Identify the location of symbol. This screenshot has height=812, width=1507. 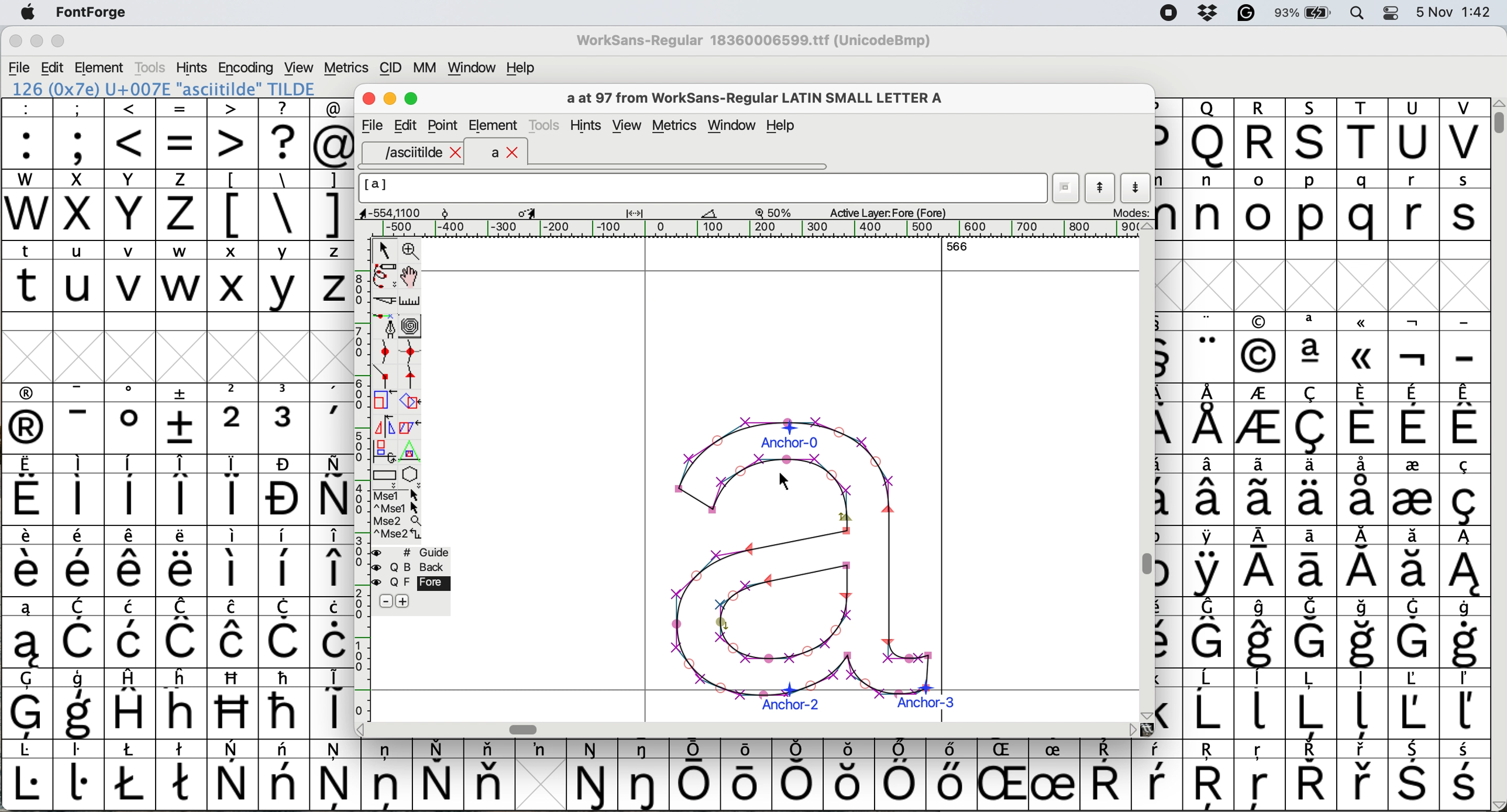
(285, 490).